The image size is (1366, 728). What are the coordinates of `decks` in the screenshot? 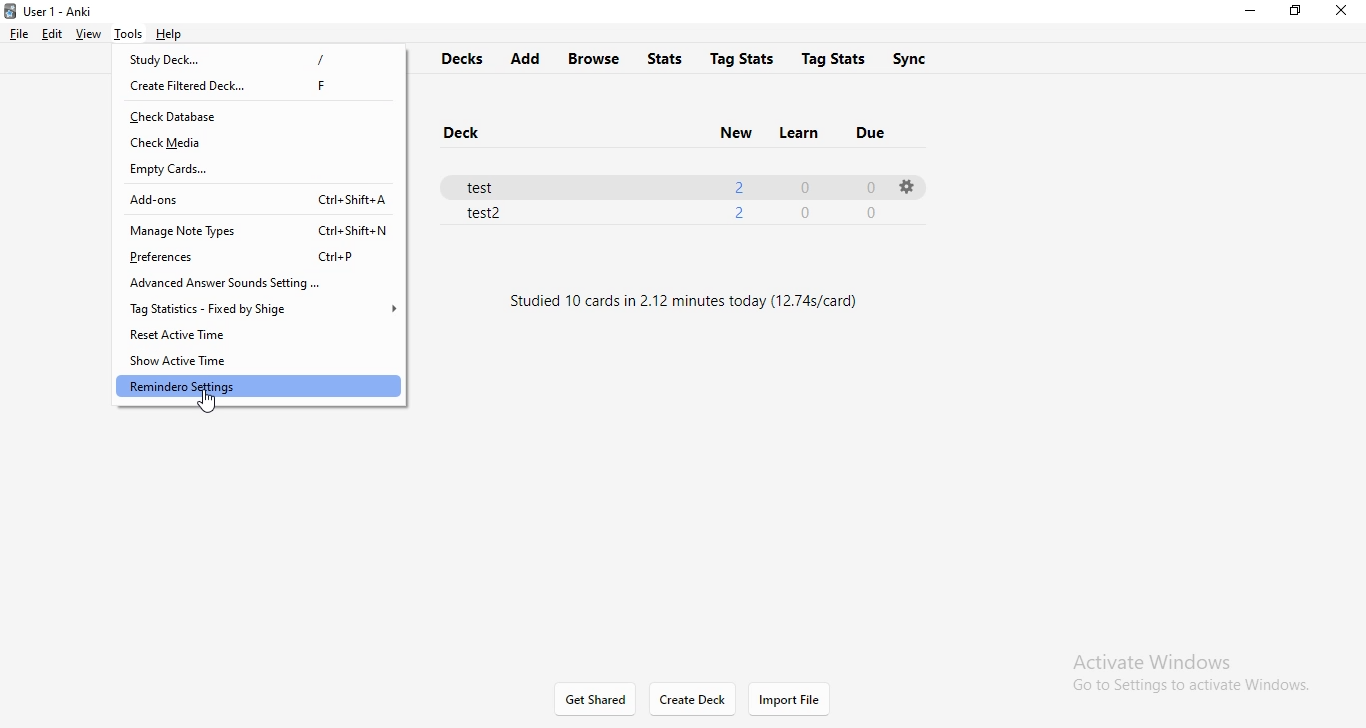 It's located at (457, 56).